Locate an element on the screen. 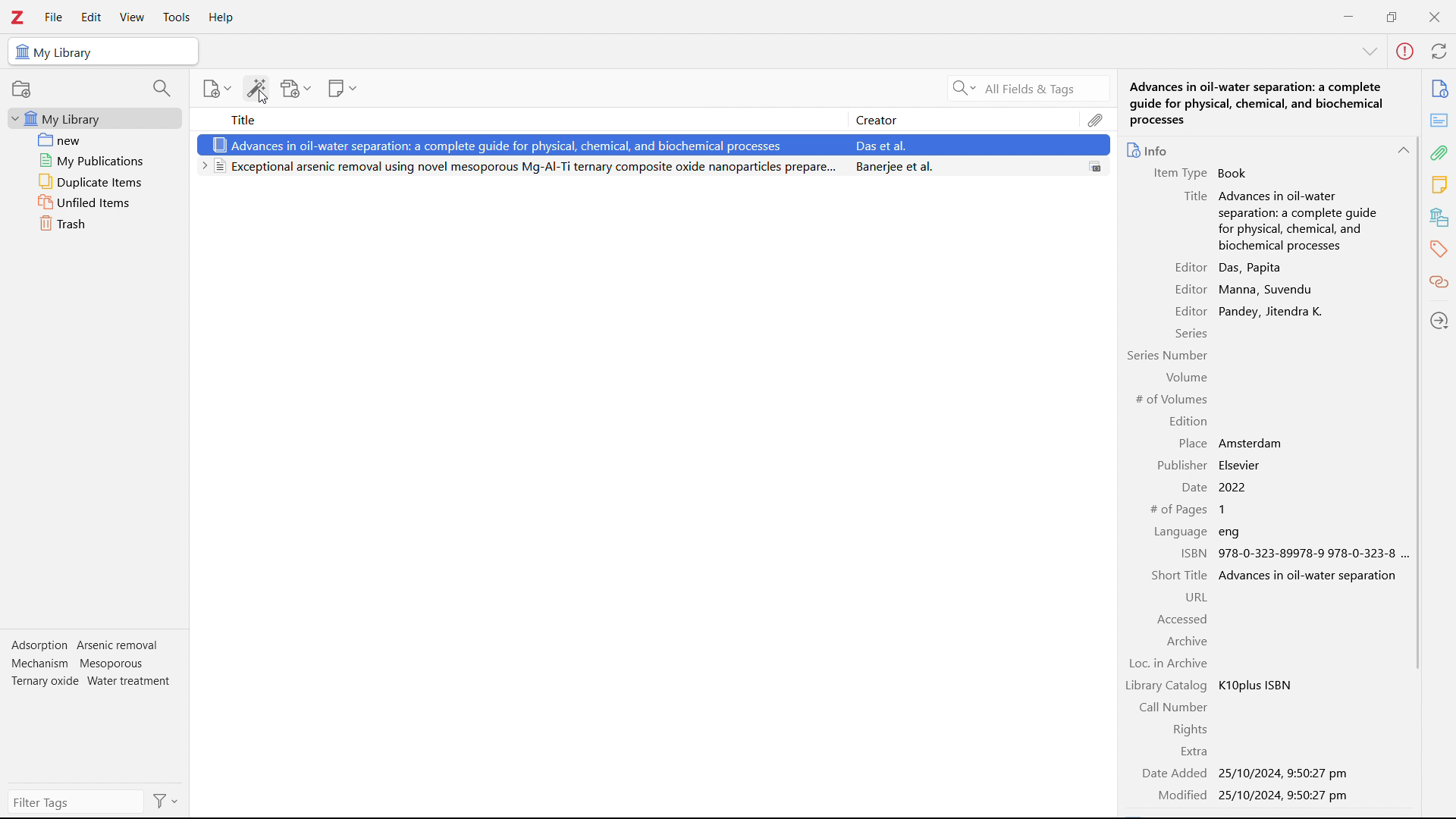  libraries and collections is located at coordinates (1441, 216).